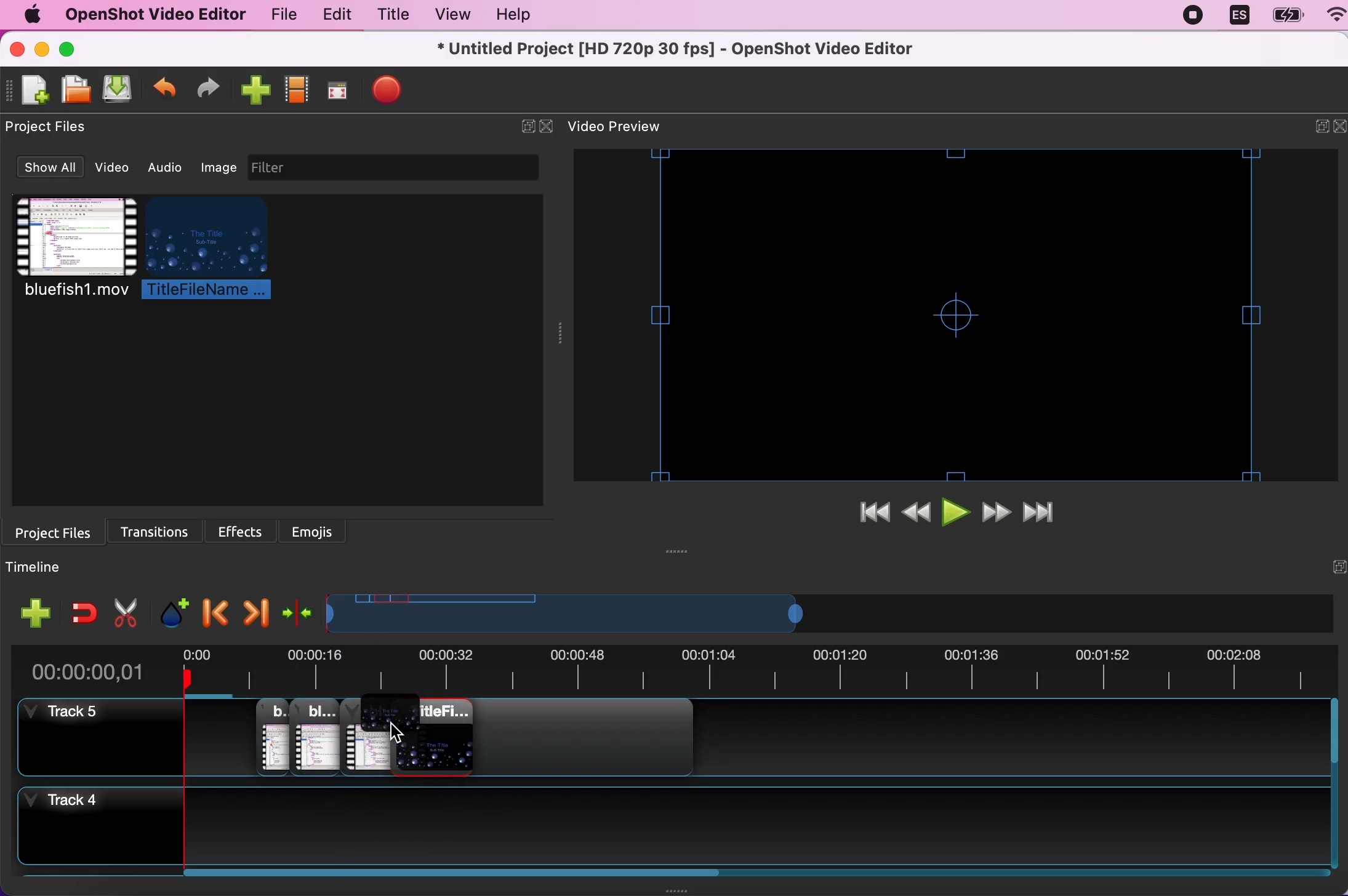 The height and width of the screenshot is (896, 1348). What do you see at coordinates (37, 613) in the screenshot?
I see `add track` at bounding box center [37, 613].